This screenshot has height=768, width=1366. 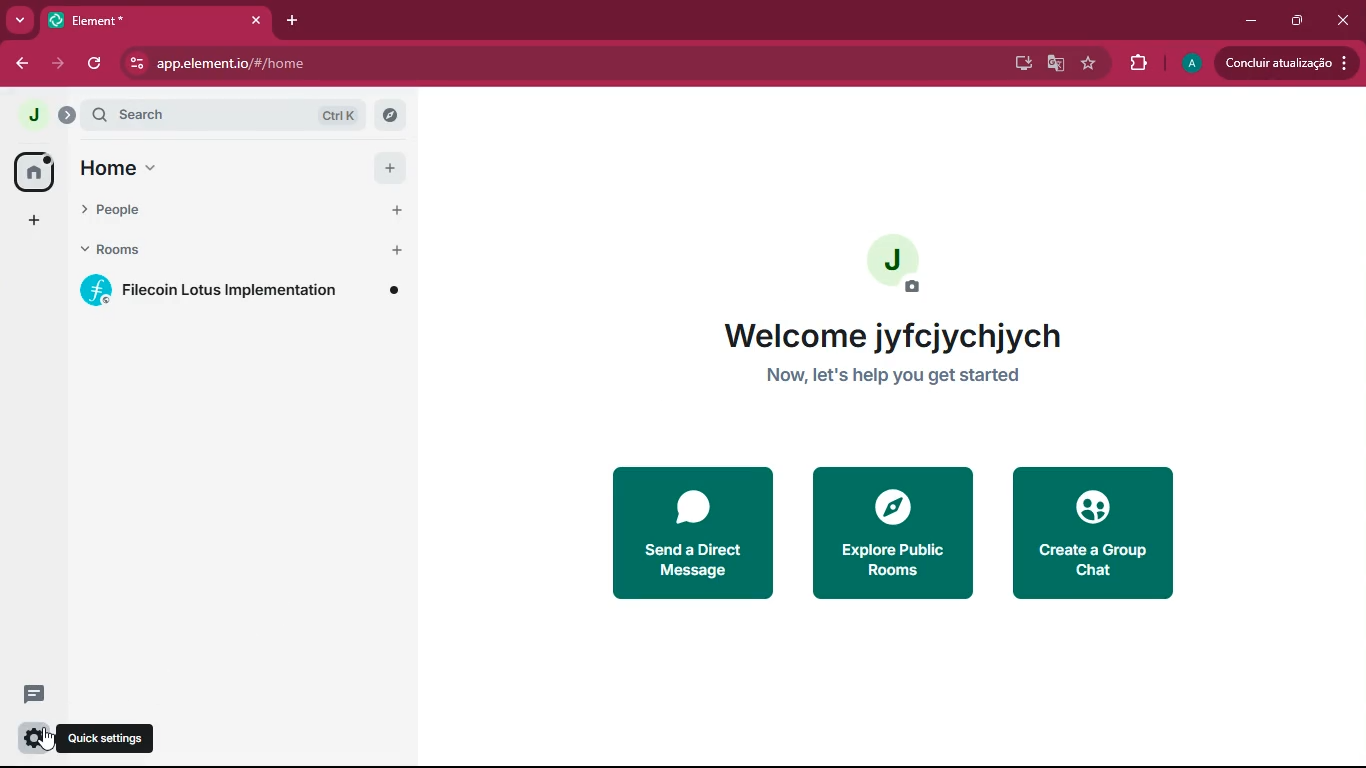 I want to click on Quick settings, so click(x=108, y=738).